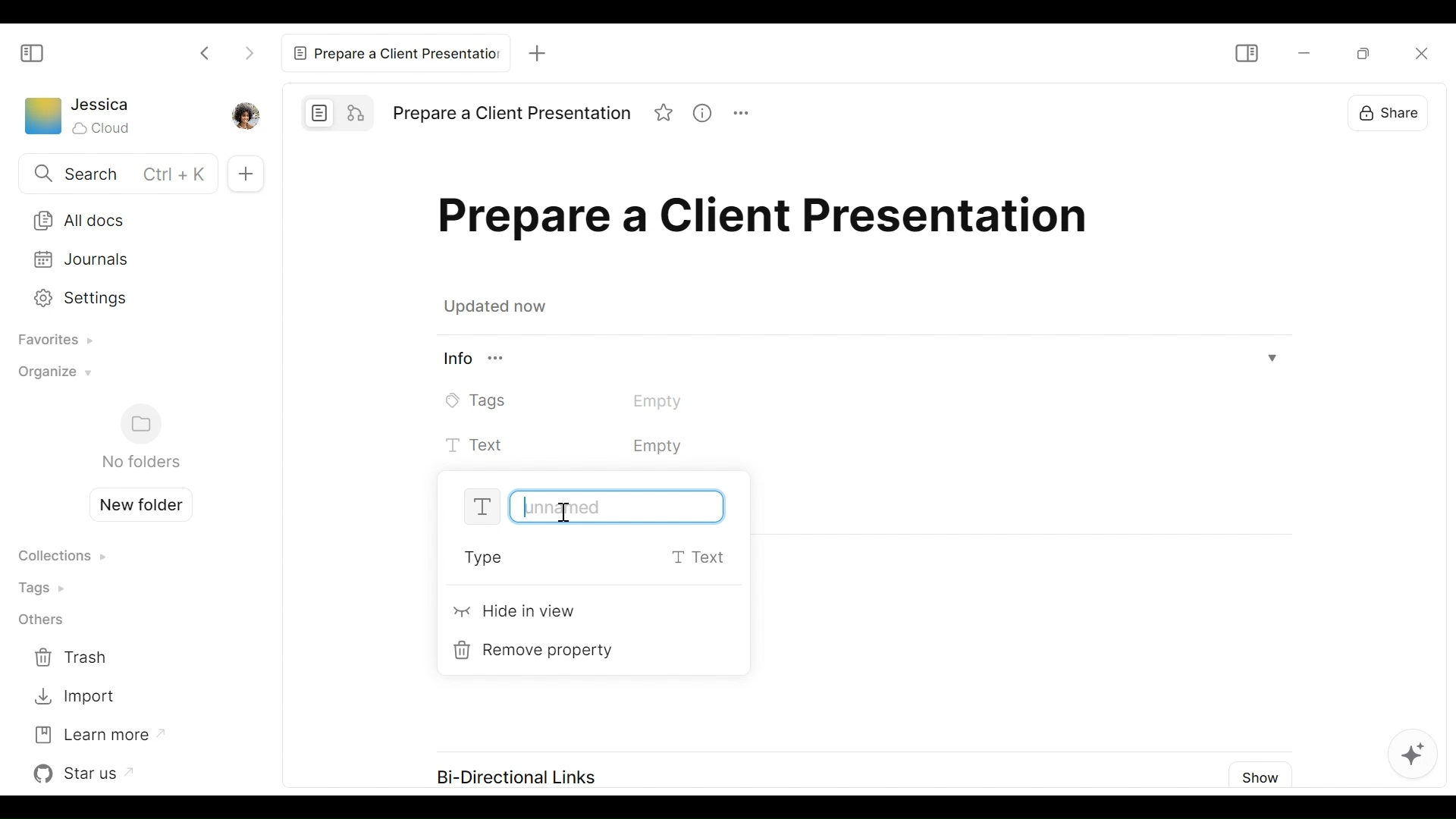 This screenshot has width=1456, height=819. I want to click on Close, so click(1427, 52).